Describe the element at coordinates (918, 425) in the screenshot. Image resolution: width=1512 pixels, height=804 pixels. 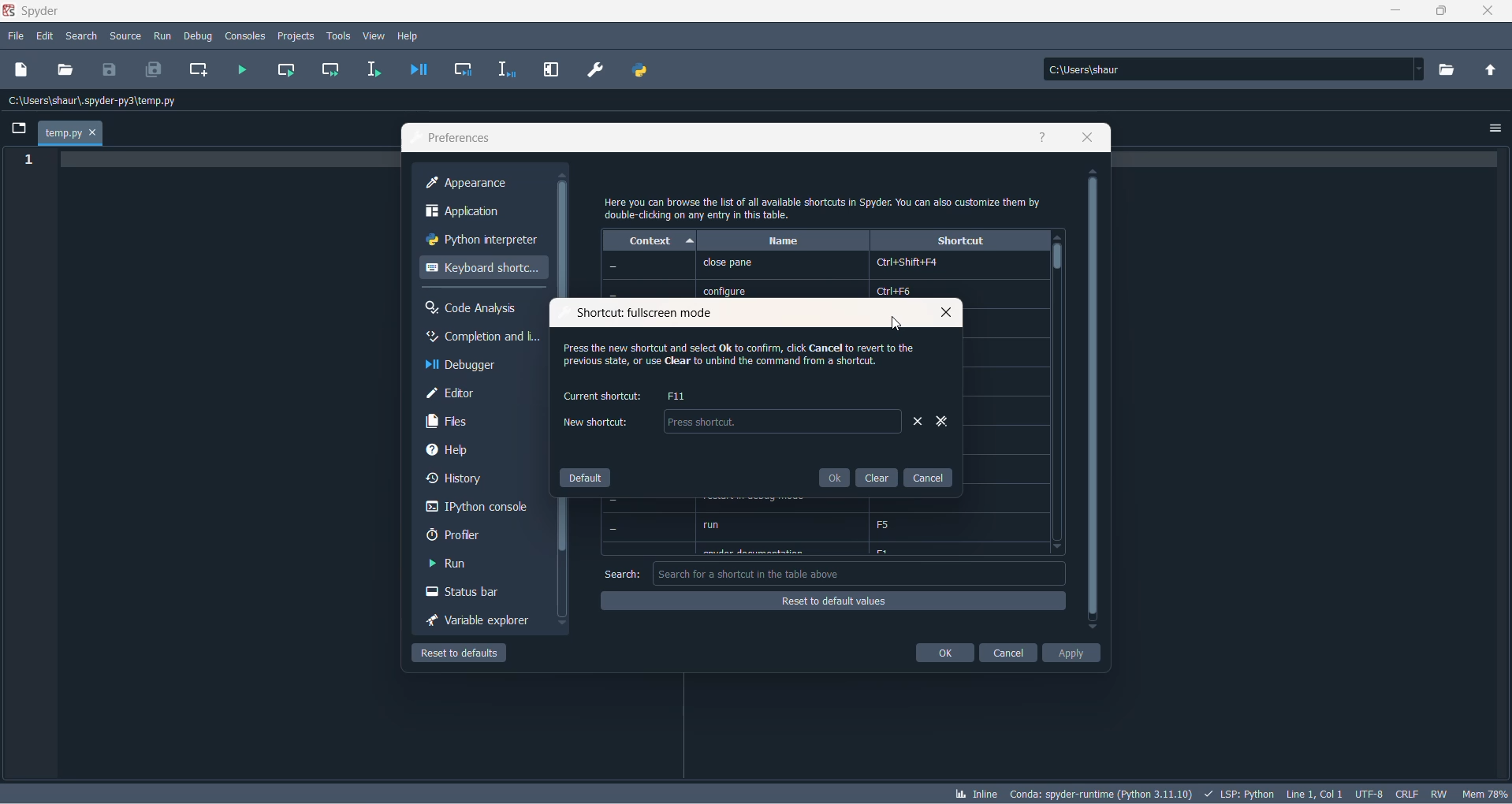
I see `remove` at that location.